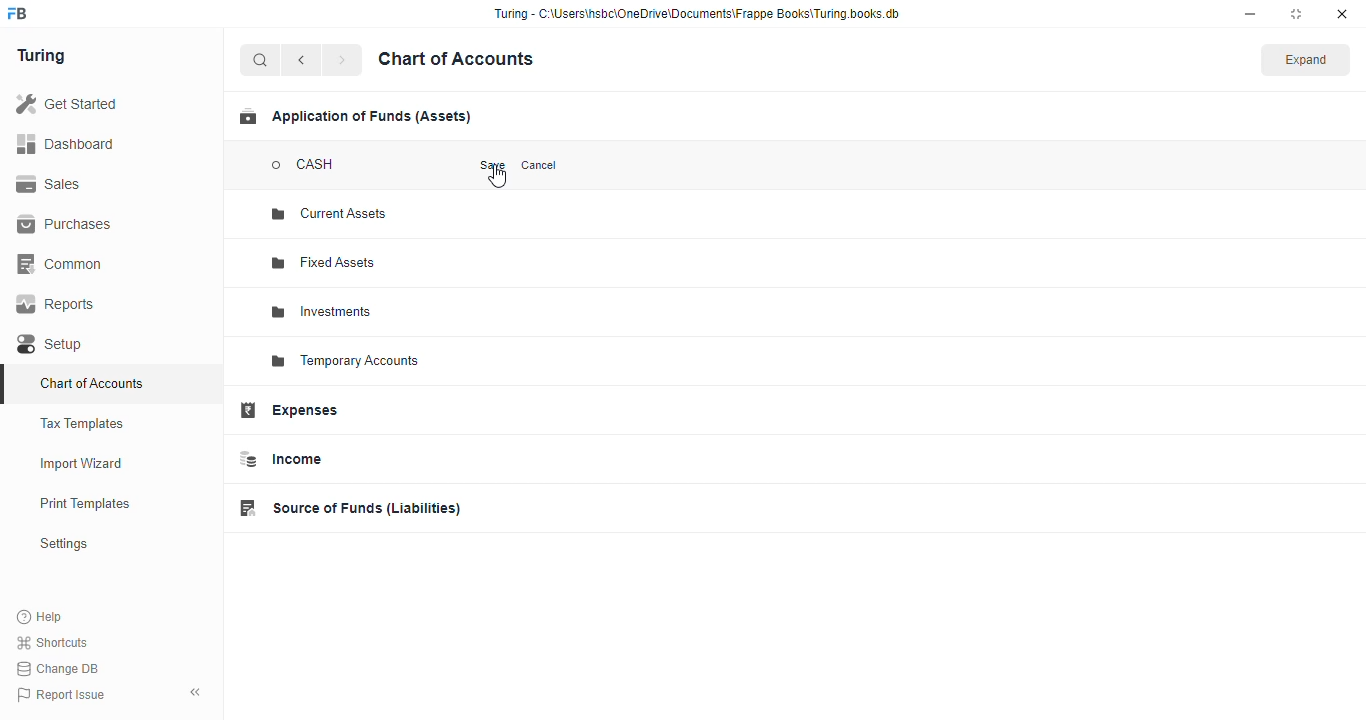 The width and height of the screenshot is (1366, 720). I want to click on cancel, so click(539, 166).